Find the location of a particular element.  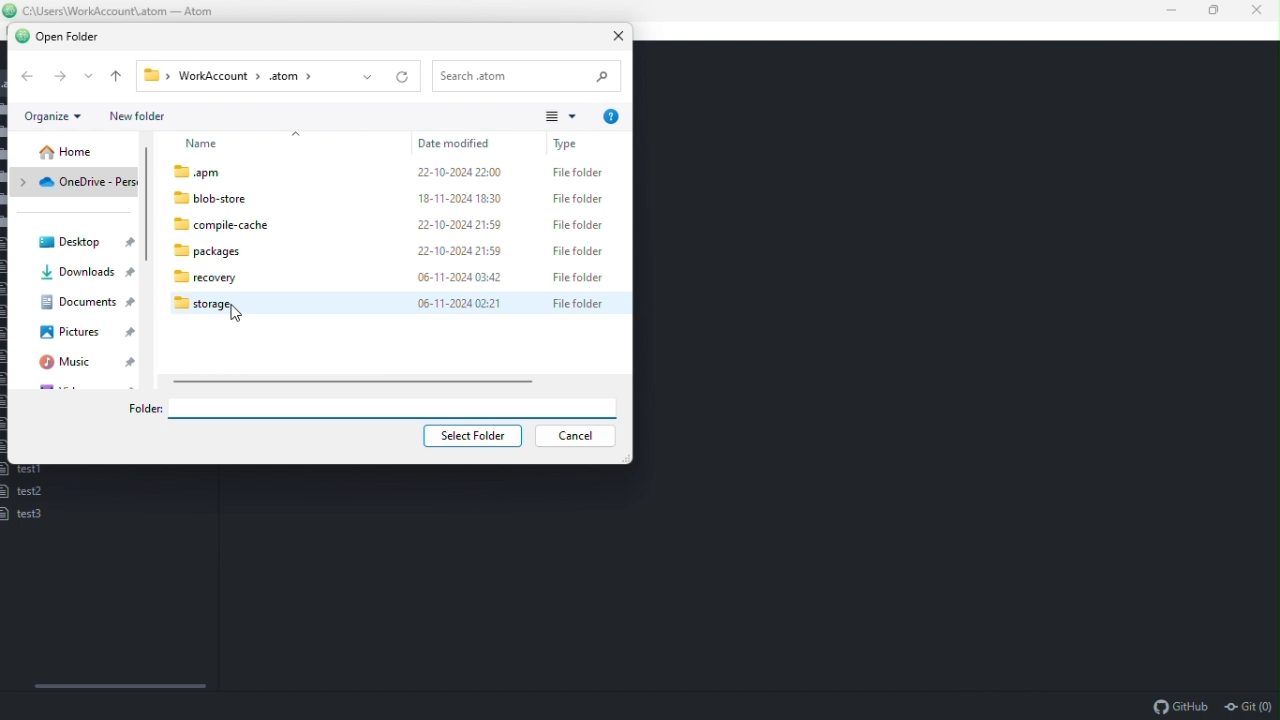

scroll bar is located at coordinates (147, 252).